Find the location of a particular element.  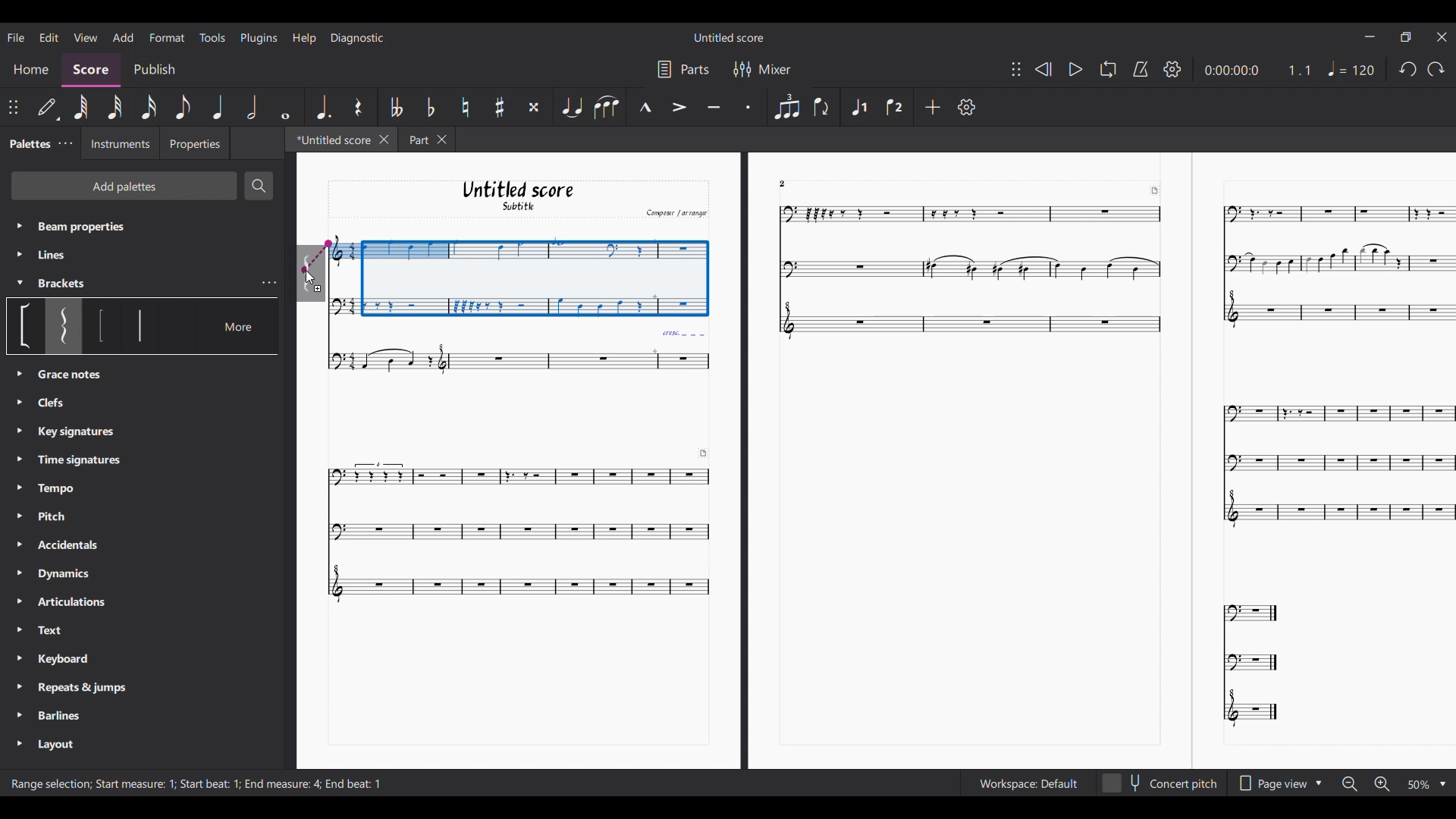

Half note is located at coordinates (253, 107).